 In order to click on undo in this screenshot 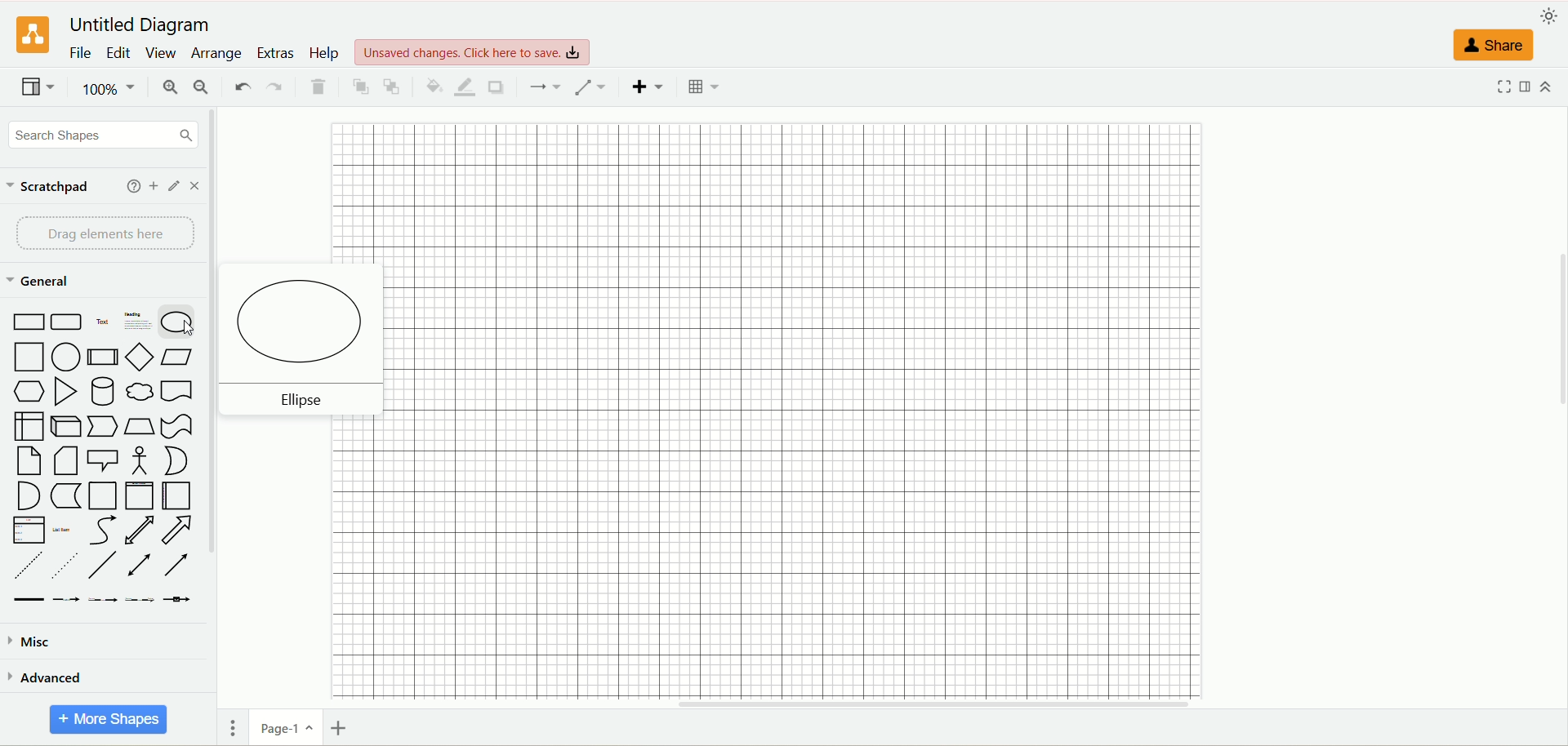, I will do `click(243, 85)`.